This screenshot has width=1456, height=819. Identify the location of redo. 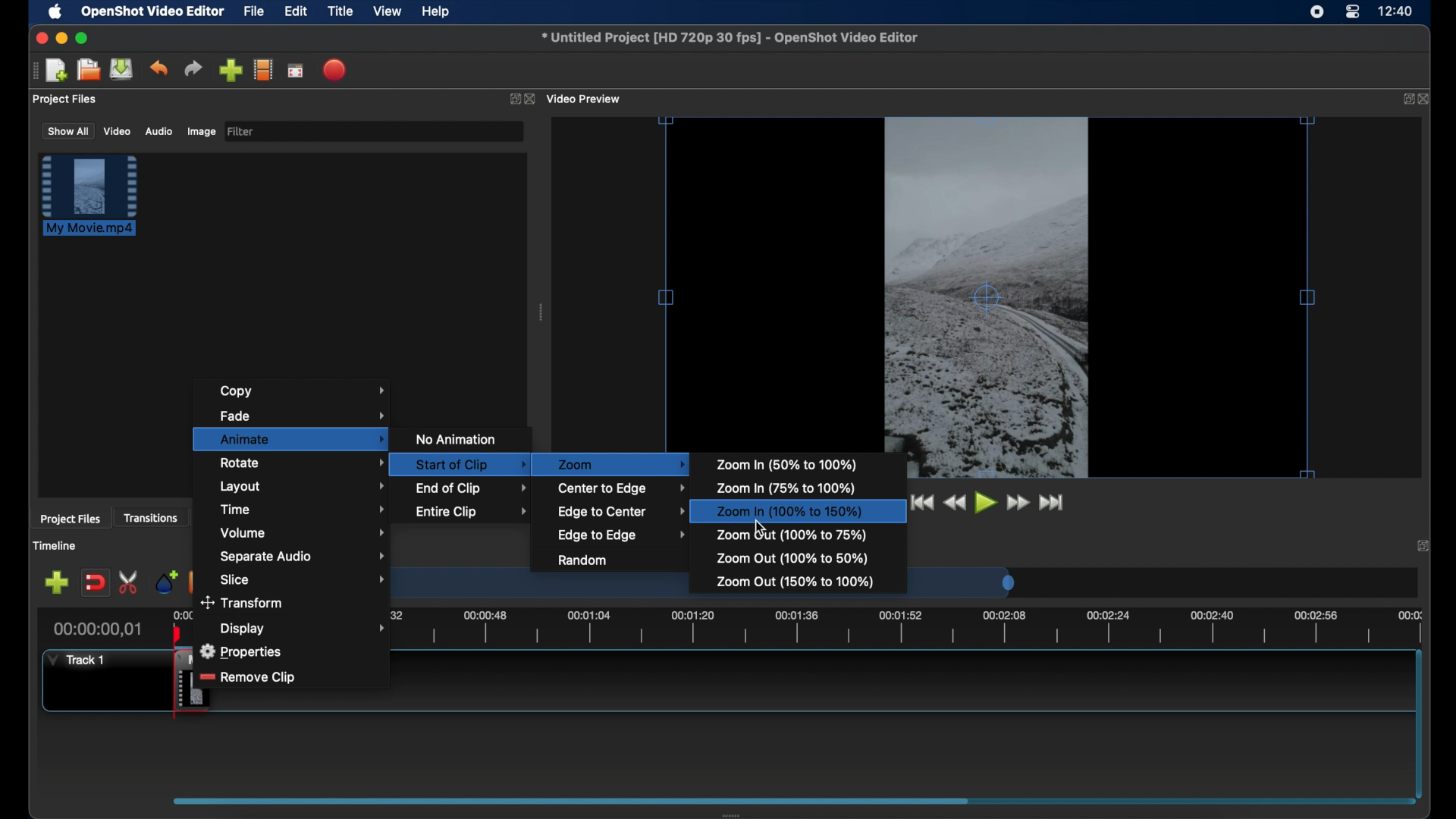
(193, 69).